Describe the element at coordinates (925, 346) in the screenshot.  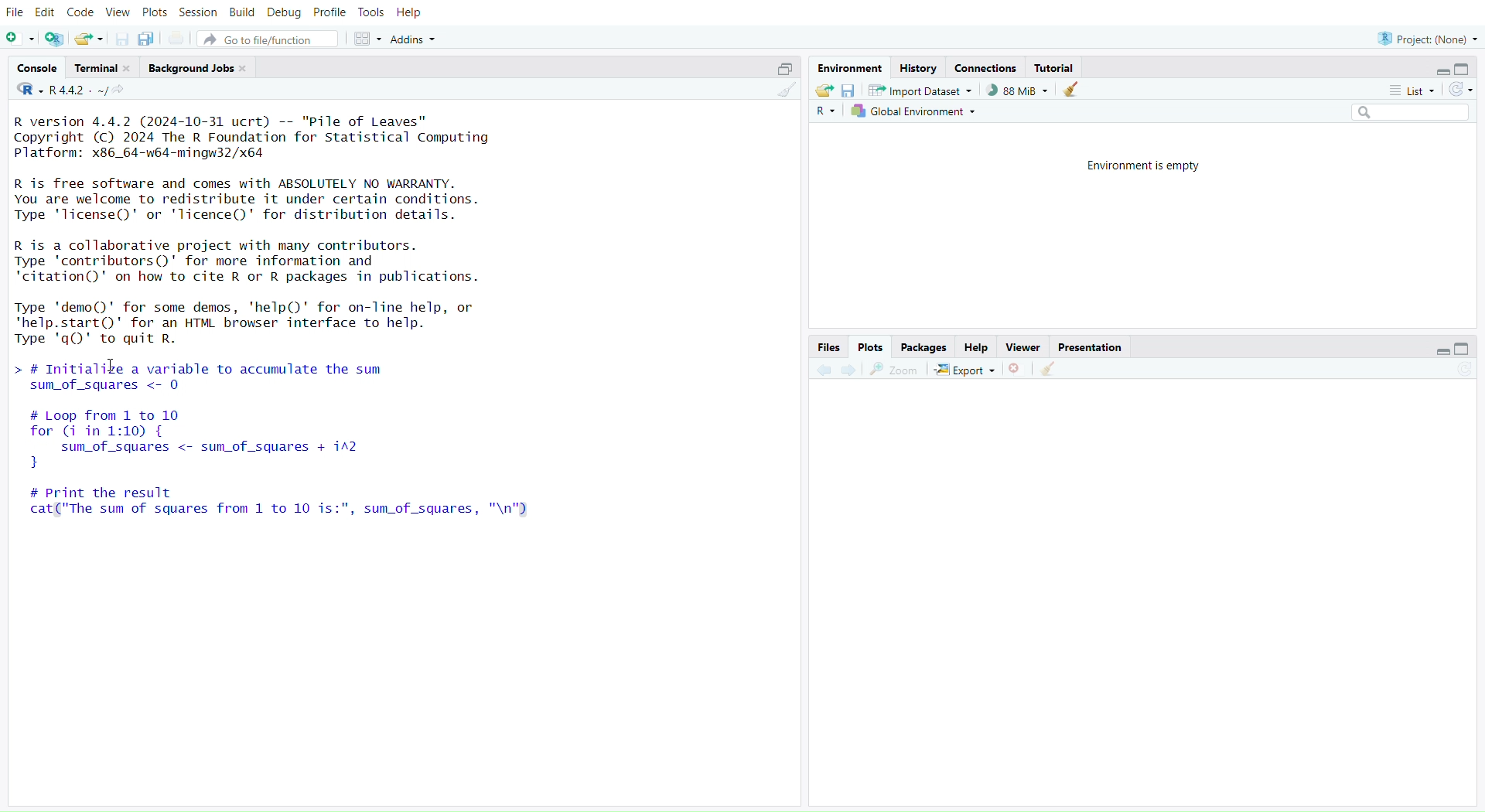
I see `packages` at that location.